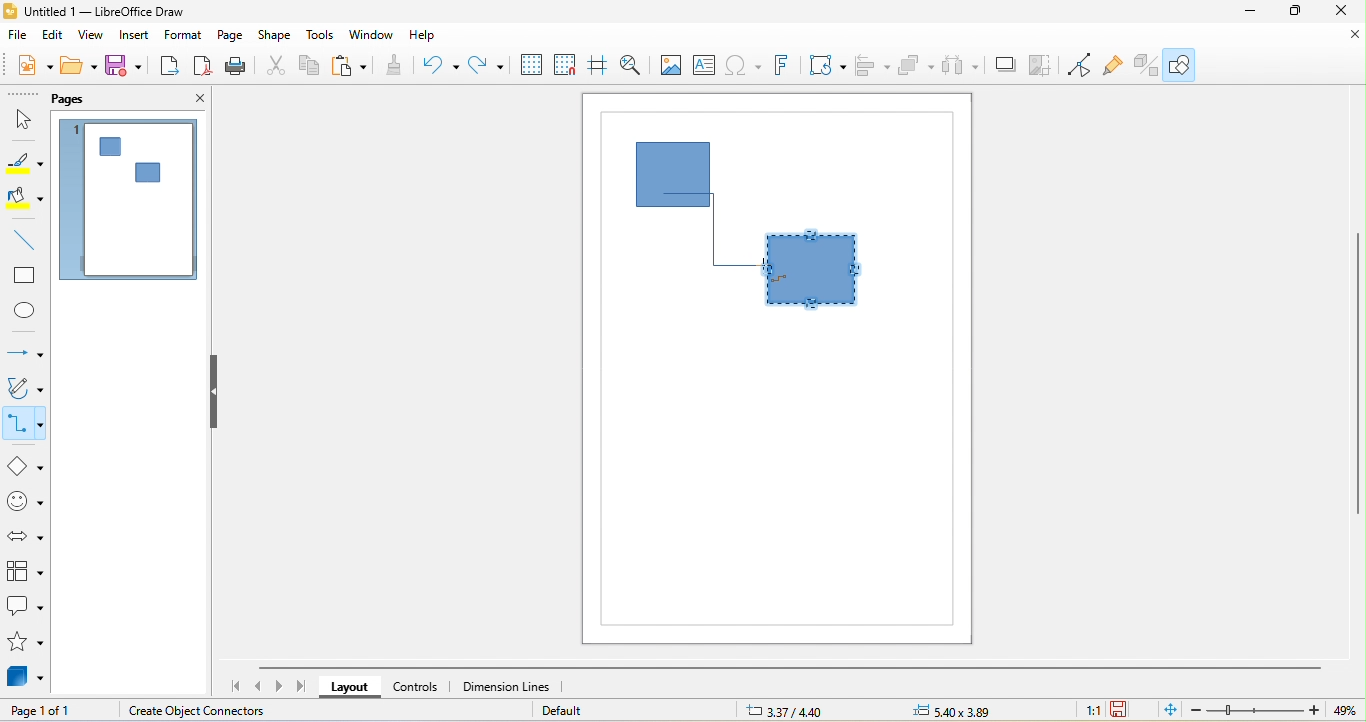  Describe the element at coordinates (79, 67) in the screenshot. I see `open` at that location.